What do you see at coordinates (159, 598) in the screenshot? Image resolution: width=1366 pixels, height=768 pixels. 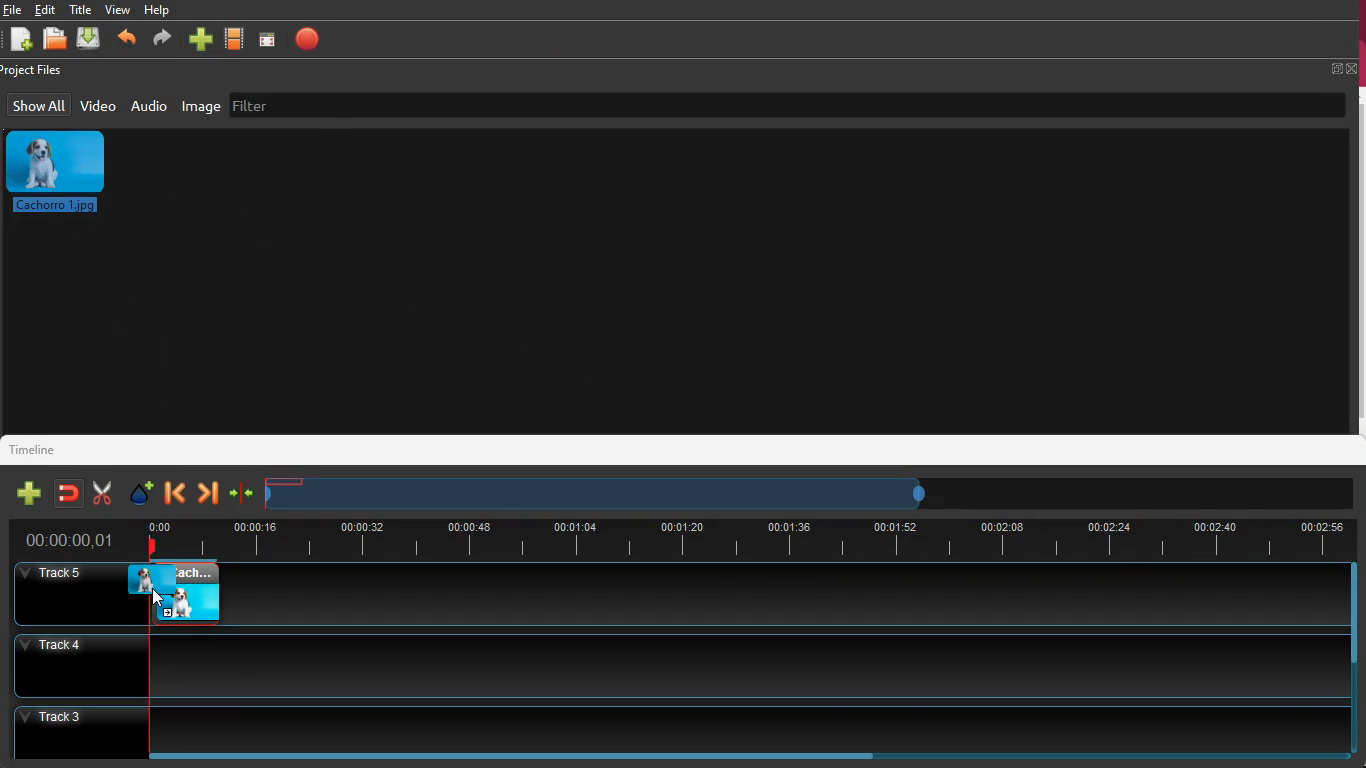 I see `cursor - mouse up` at bounding box center [159, 598].